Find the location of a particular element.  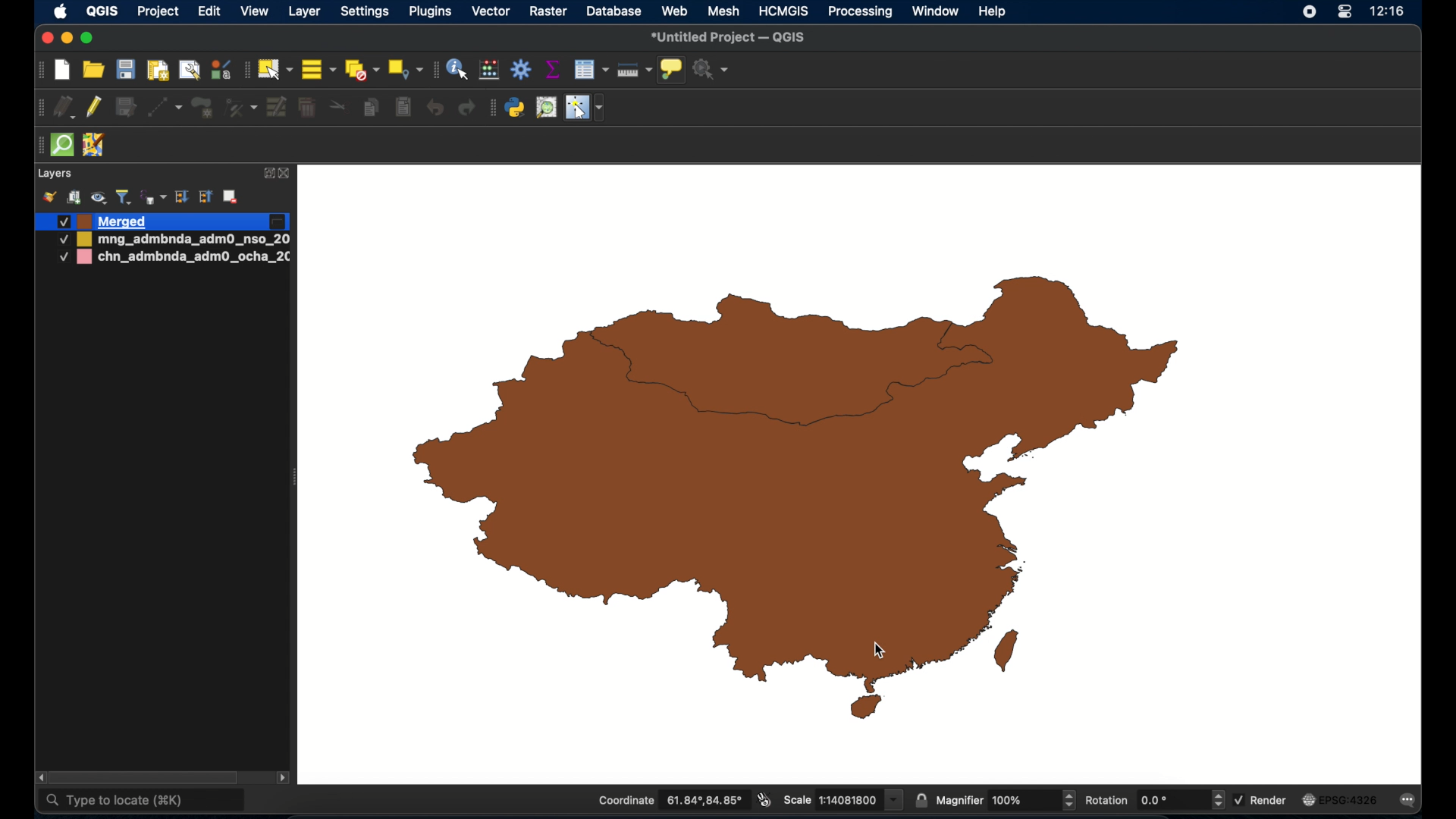

quick som is located at coordinates (61, 146).